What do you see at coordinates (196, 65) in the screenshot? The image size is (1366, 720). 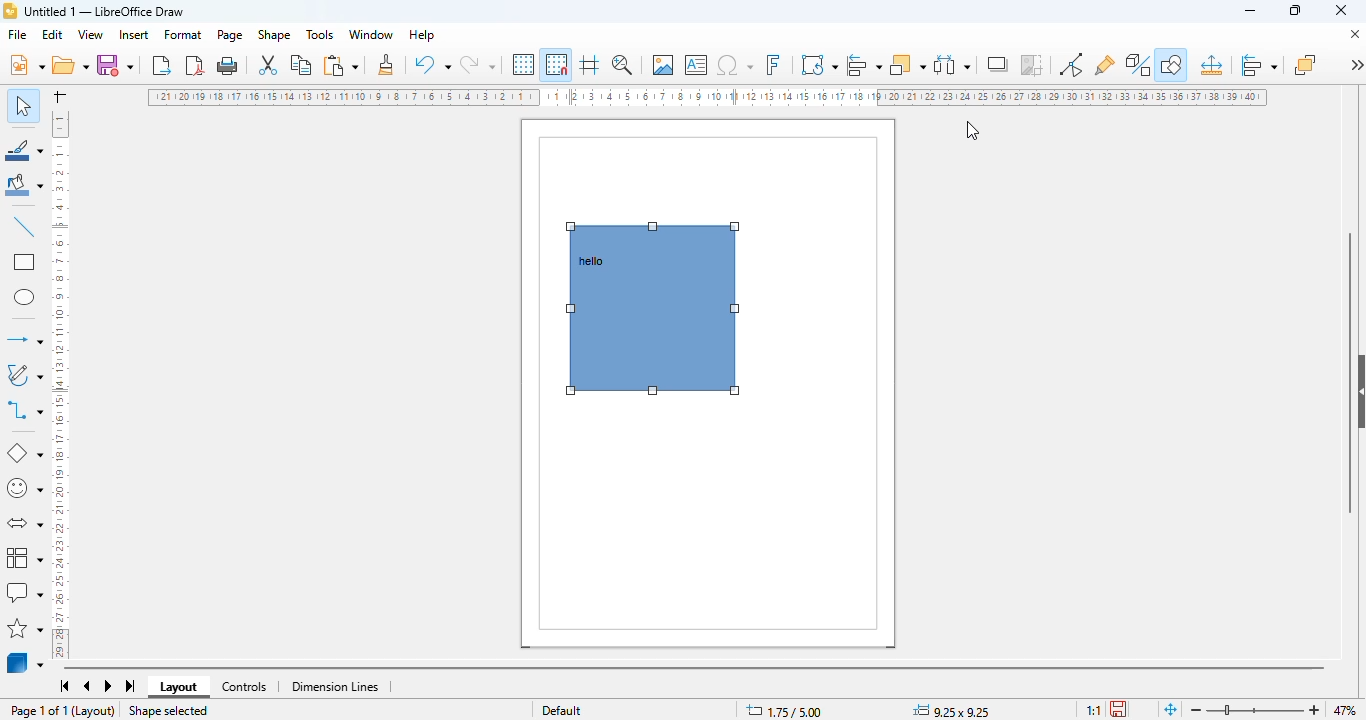 I see `export directly as PDF` at bounding box center [196, 65].